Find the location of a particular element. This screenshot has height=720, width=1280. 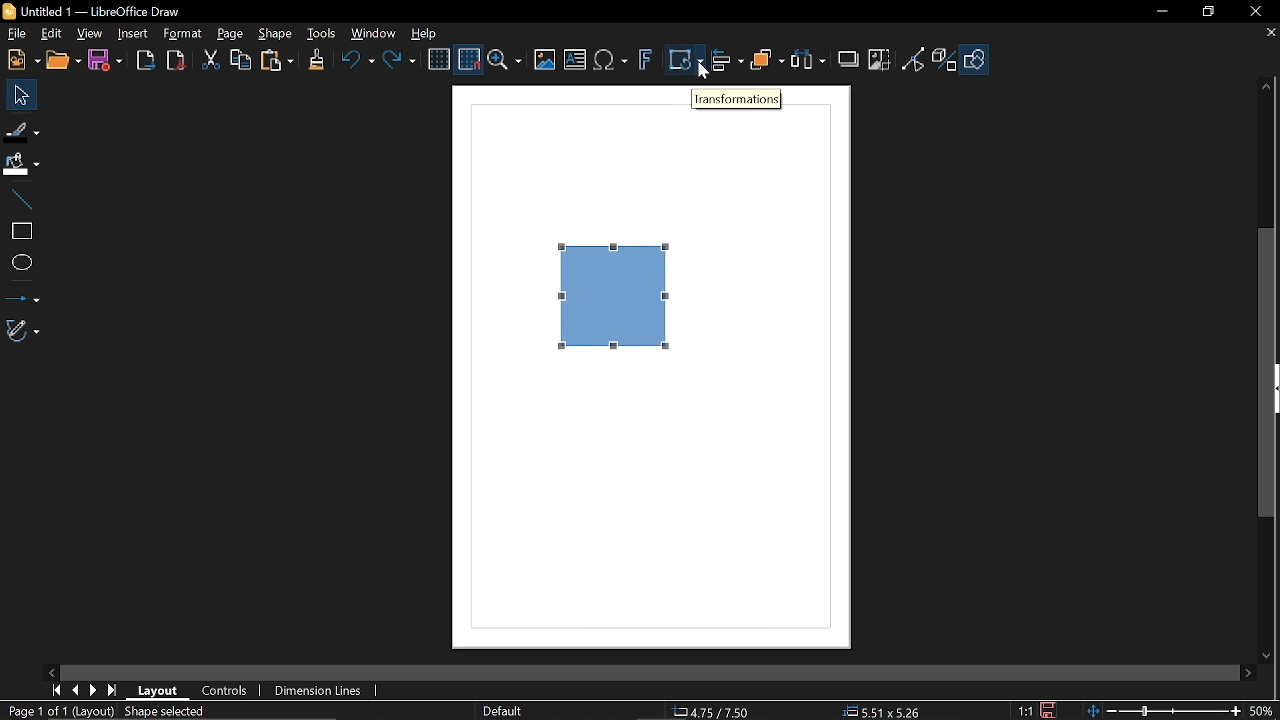

Shadow is located at coordinates (846, 58).